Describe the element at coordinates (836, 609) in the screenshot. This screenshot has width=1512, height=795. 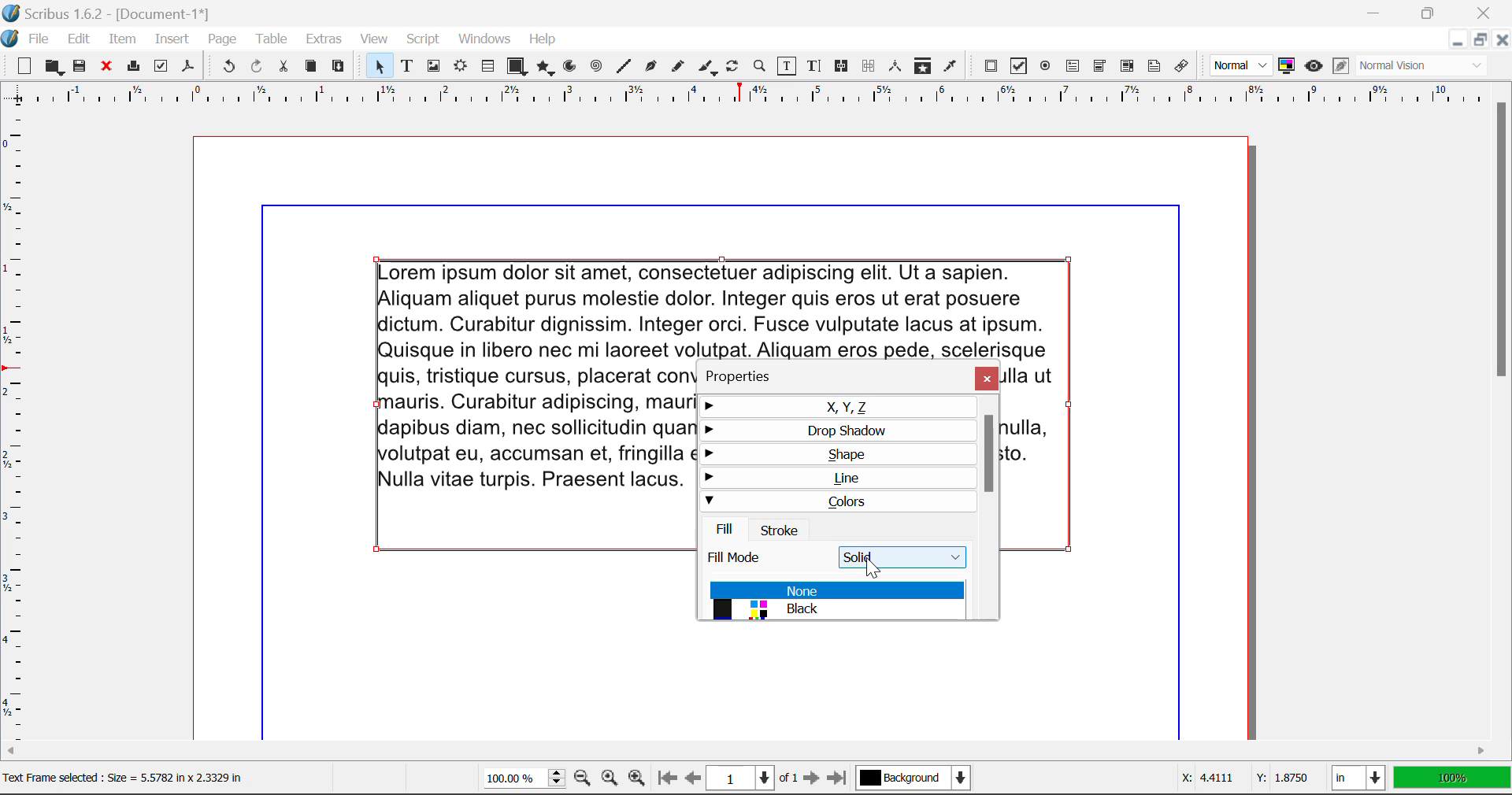
I see `Black` at that location.